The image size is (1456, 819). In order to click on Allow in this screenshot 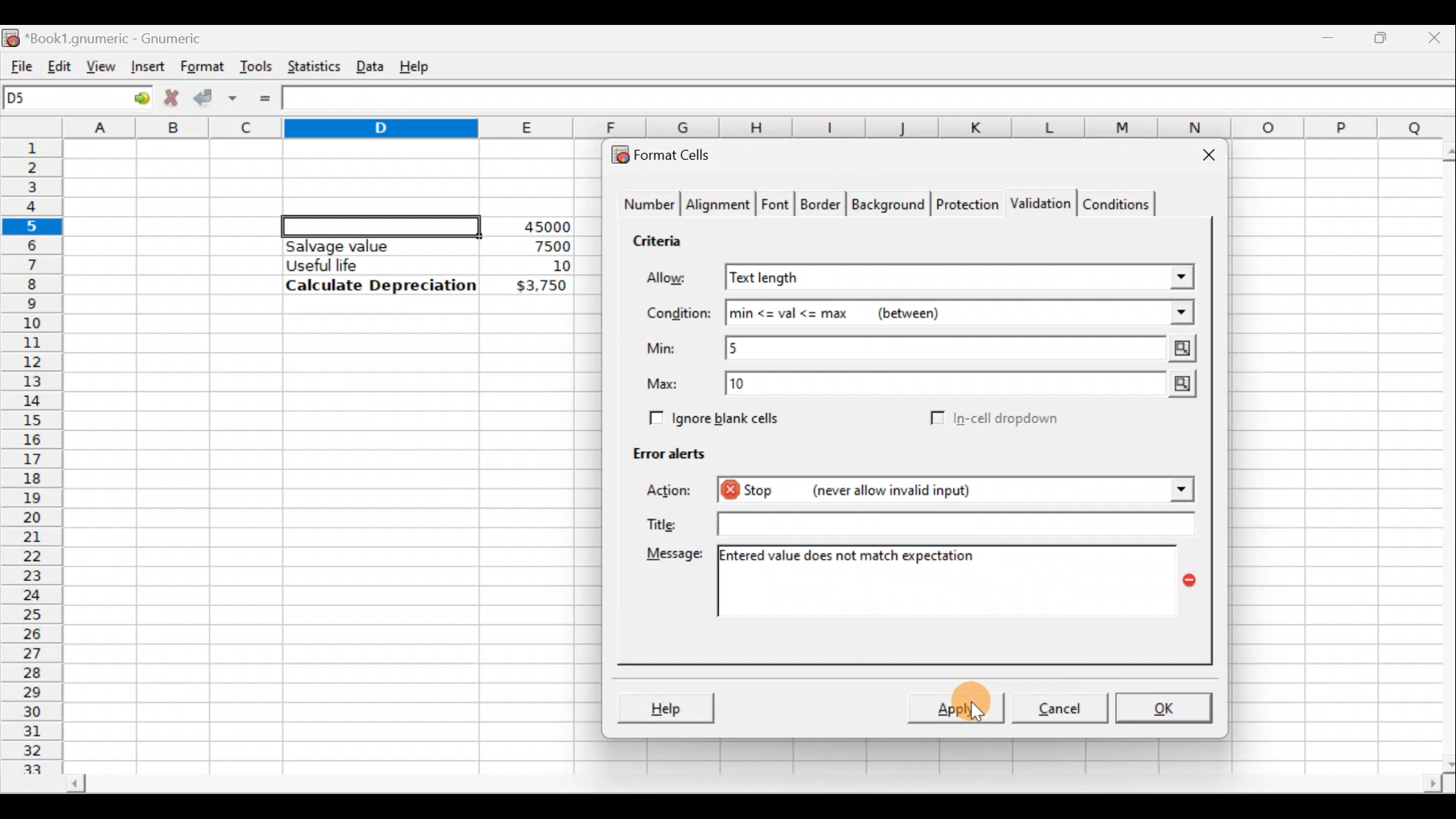, I will do `click(677, 280)`.